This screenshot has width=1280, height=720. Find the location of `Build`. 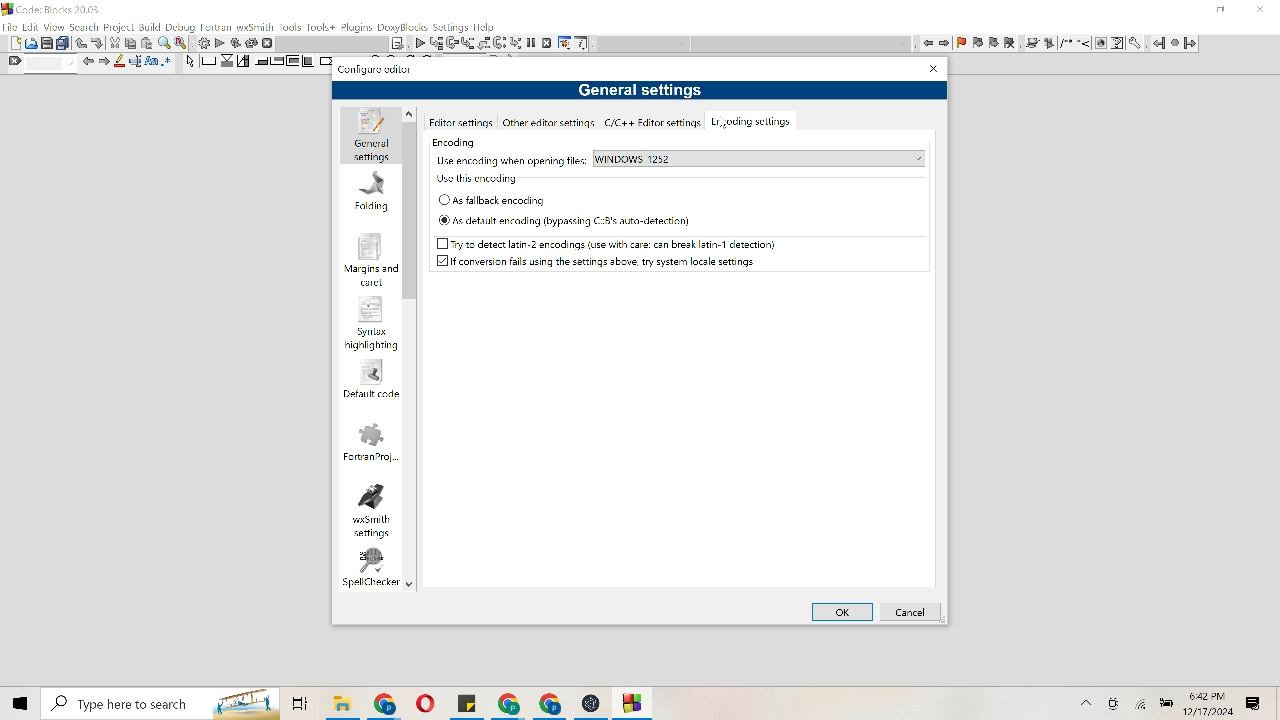

Build is located at coordinates (150, 27).